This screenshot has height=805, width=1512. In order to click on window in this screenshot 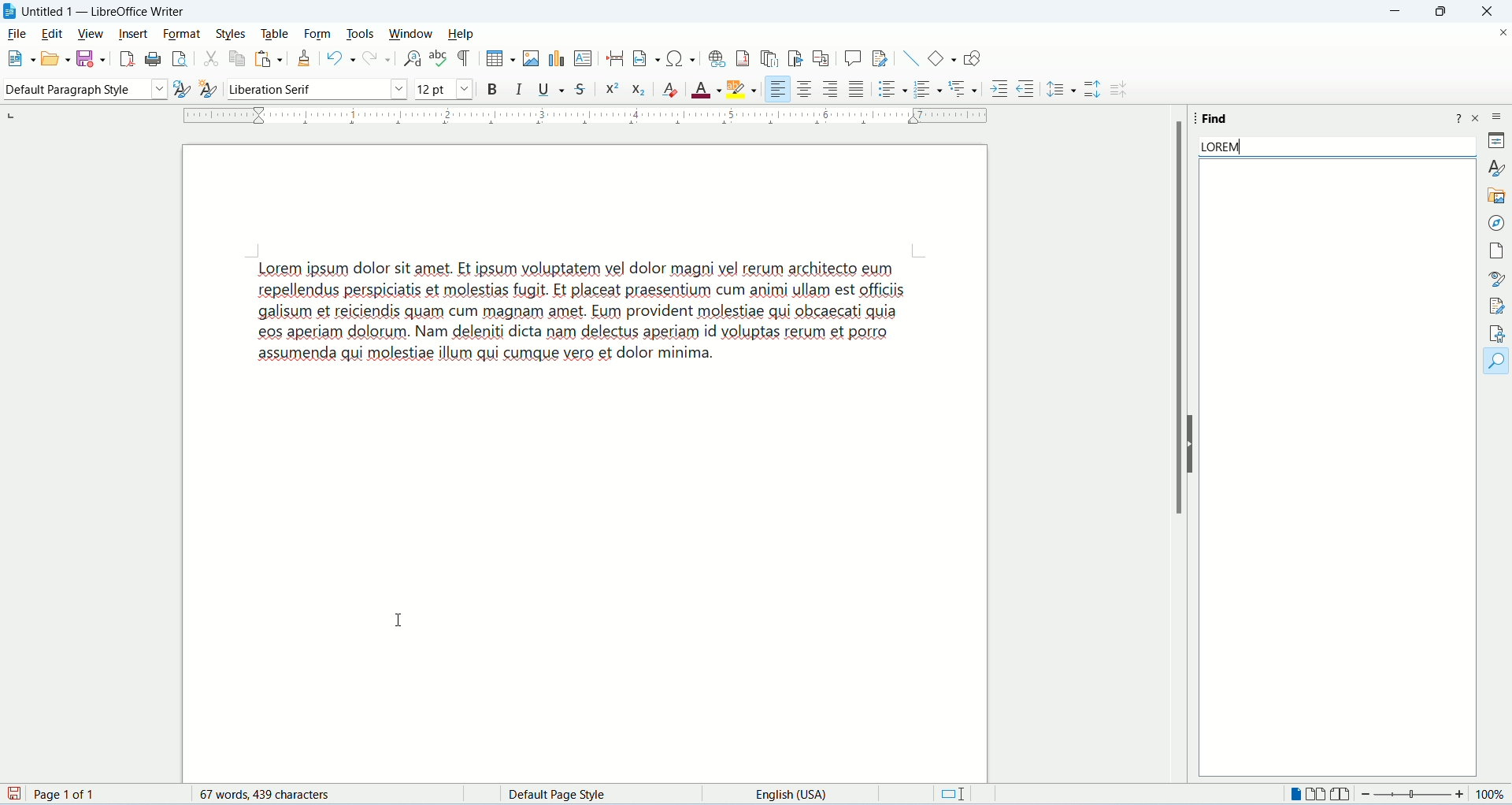, I will do `click(411, 32)`.